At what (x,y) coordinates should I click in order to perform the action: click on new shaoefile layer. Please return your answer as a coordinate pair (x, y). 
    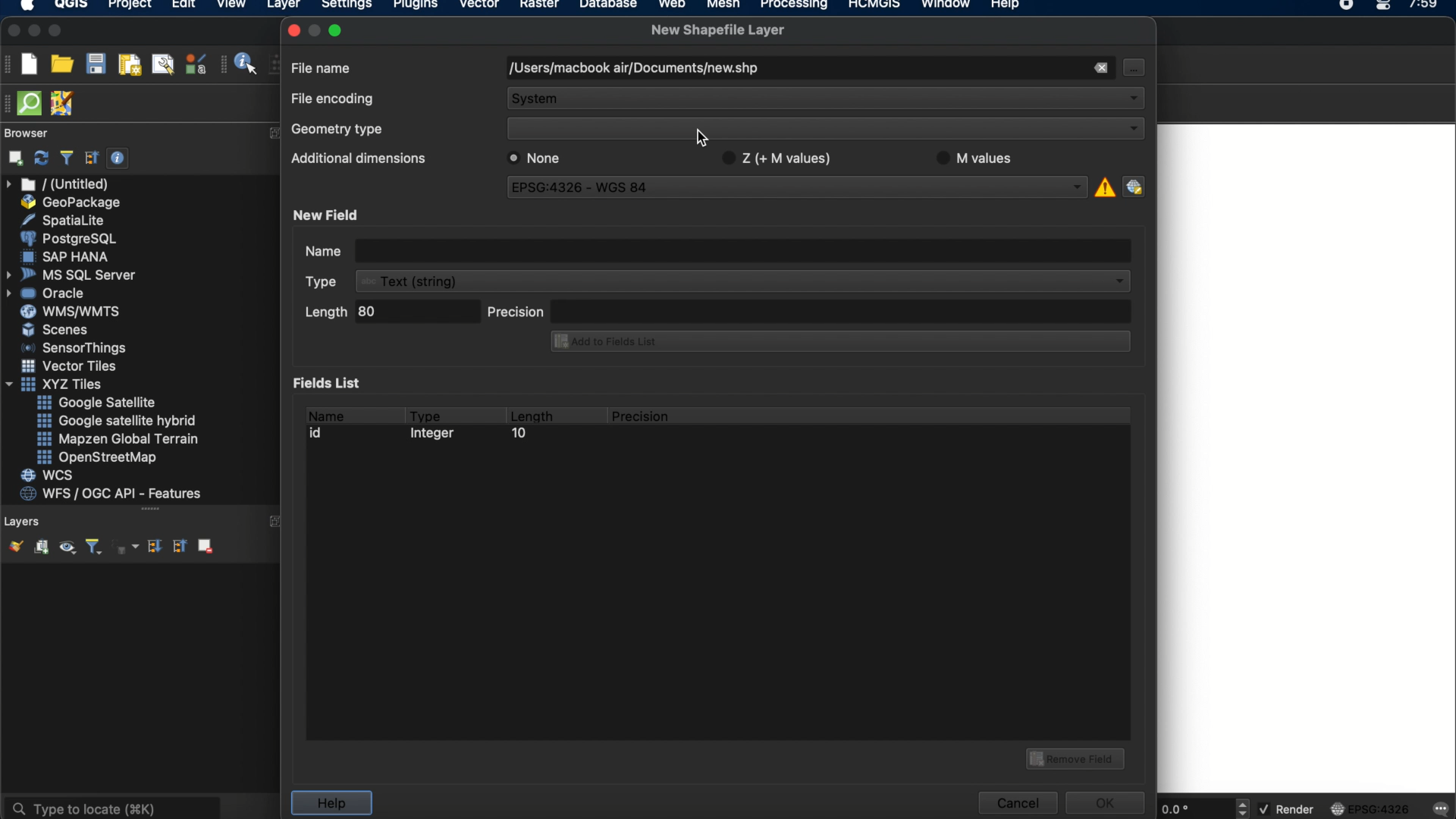
    Looking at the image, I should click on (718, 30).